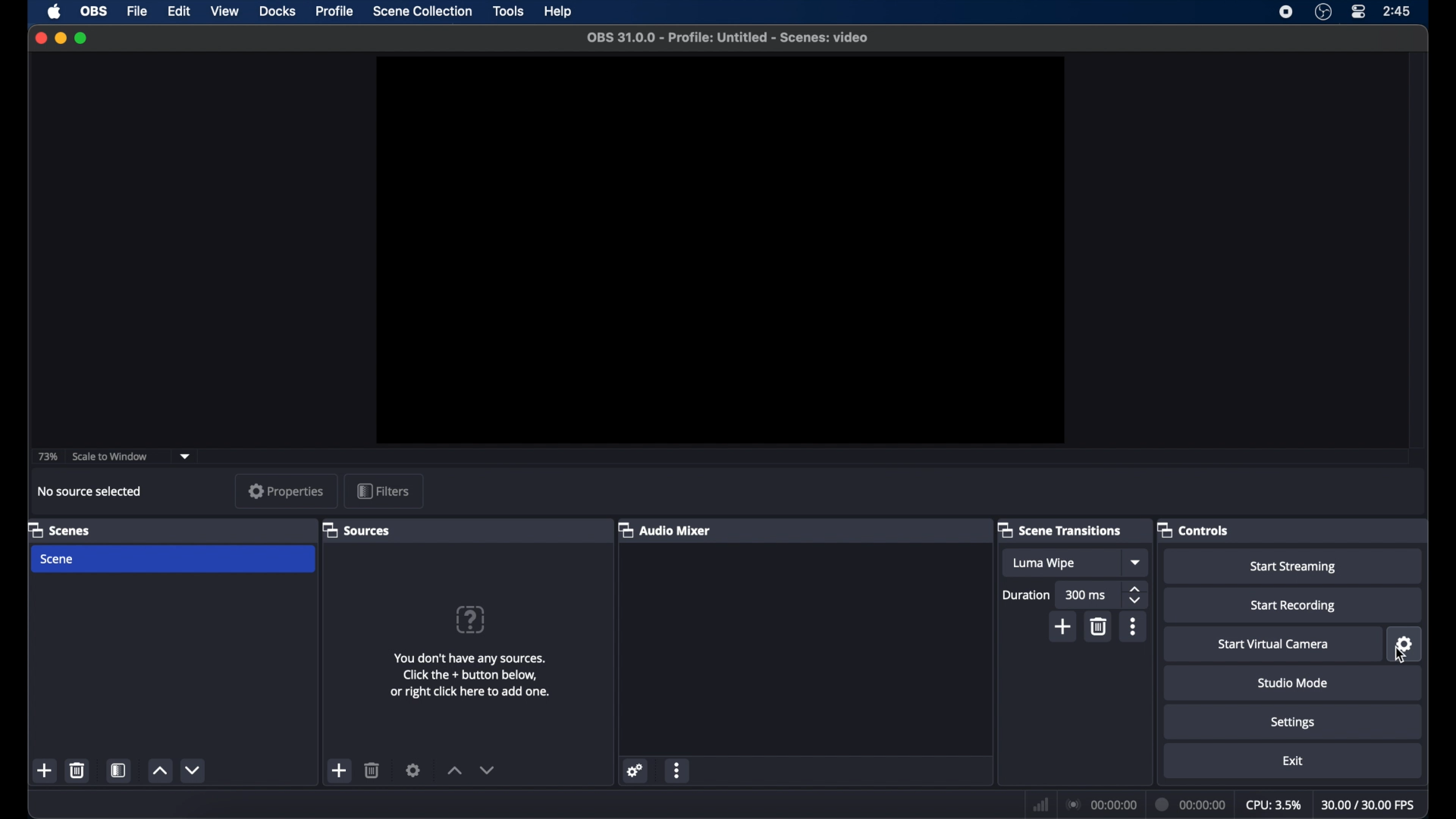 This screenshot has width=1456, height=819. I want to click on screen recorder icon, so click(1287, 12).